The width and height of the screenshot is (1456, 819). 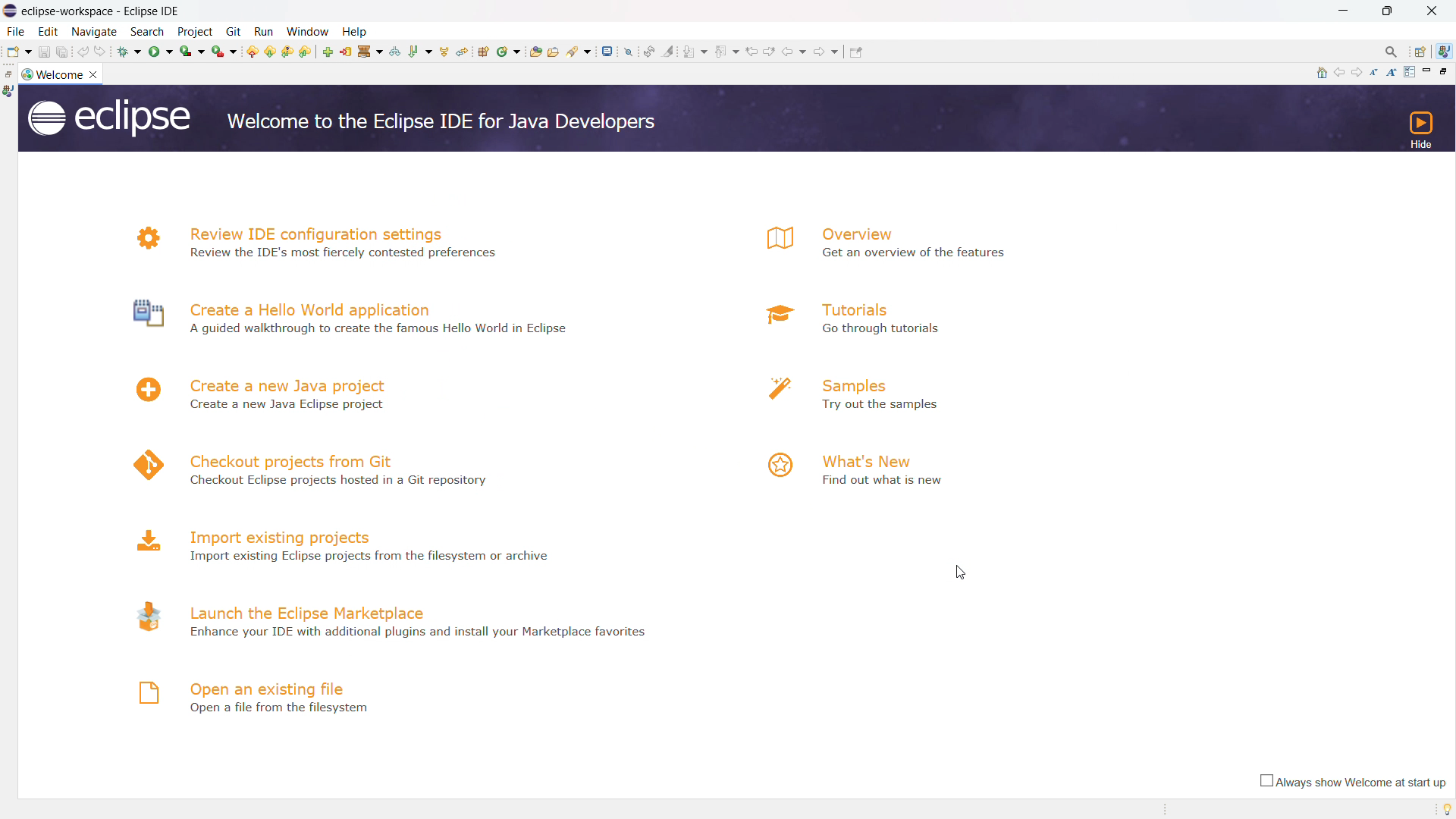 What do you see at coordinates (1358, 73) in the screenshot?
I see `navigate to next topic` at bounding box center [1358, 73].